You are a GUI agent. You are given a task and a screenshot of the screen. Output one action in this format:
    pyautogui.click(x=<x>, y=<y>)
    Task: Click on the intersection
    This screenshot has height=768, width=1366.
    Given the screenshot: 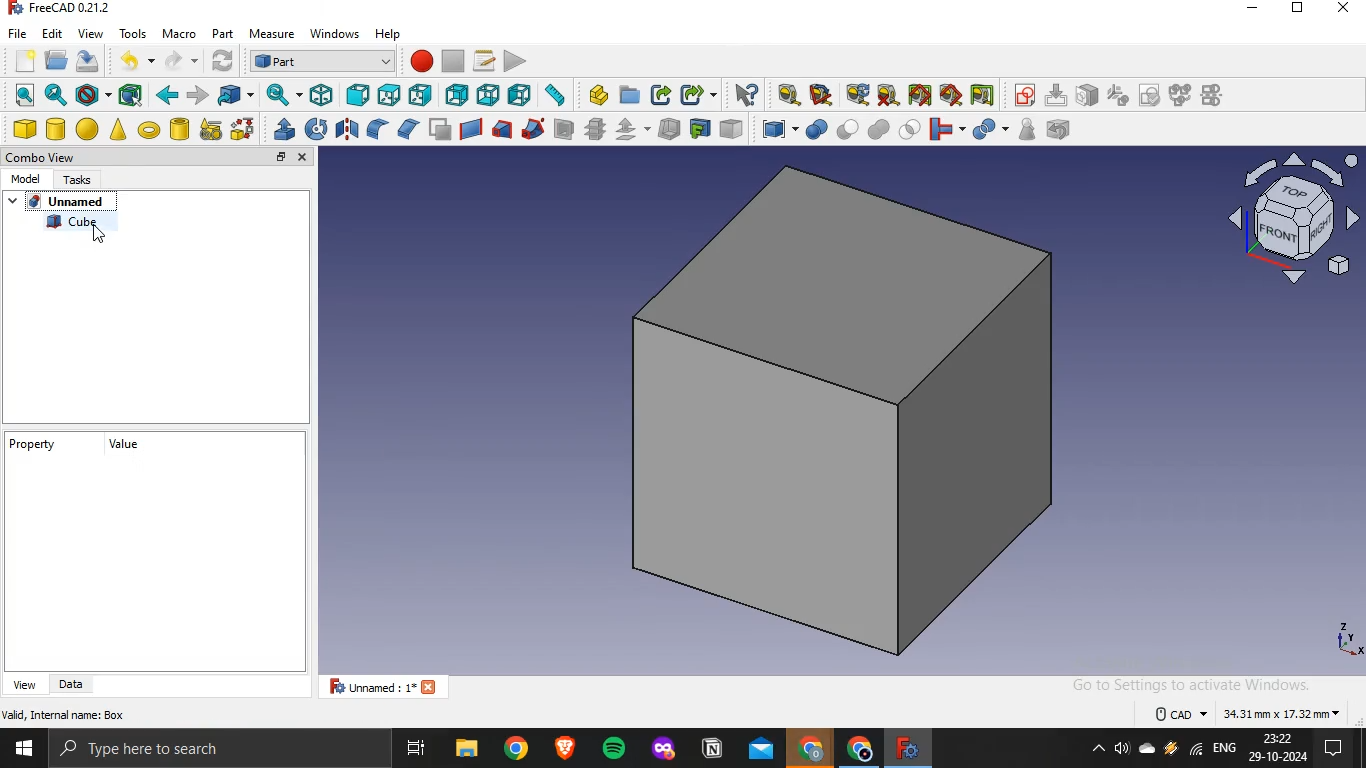 What is the action you would take?
    pyautogui.click(x=911, y=127)
    